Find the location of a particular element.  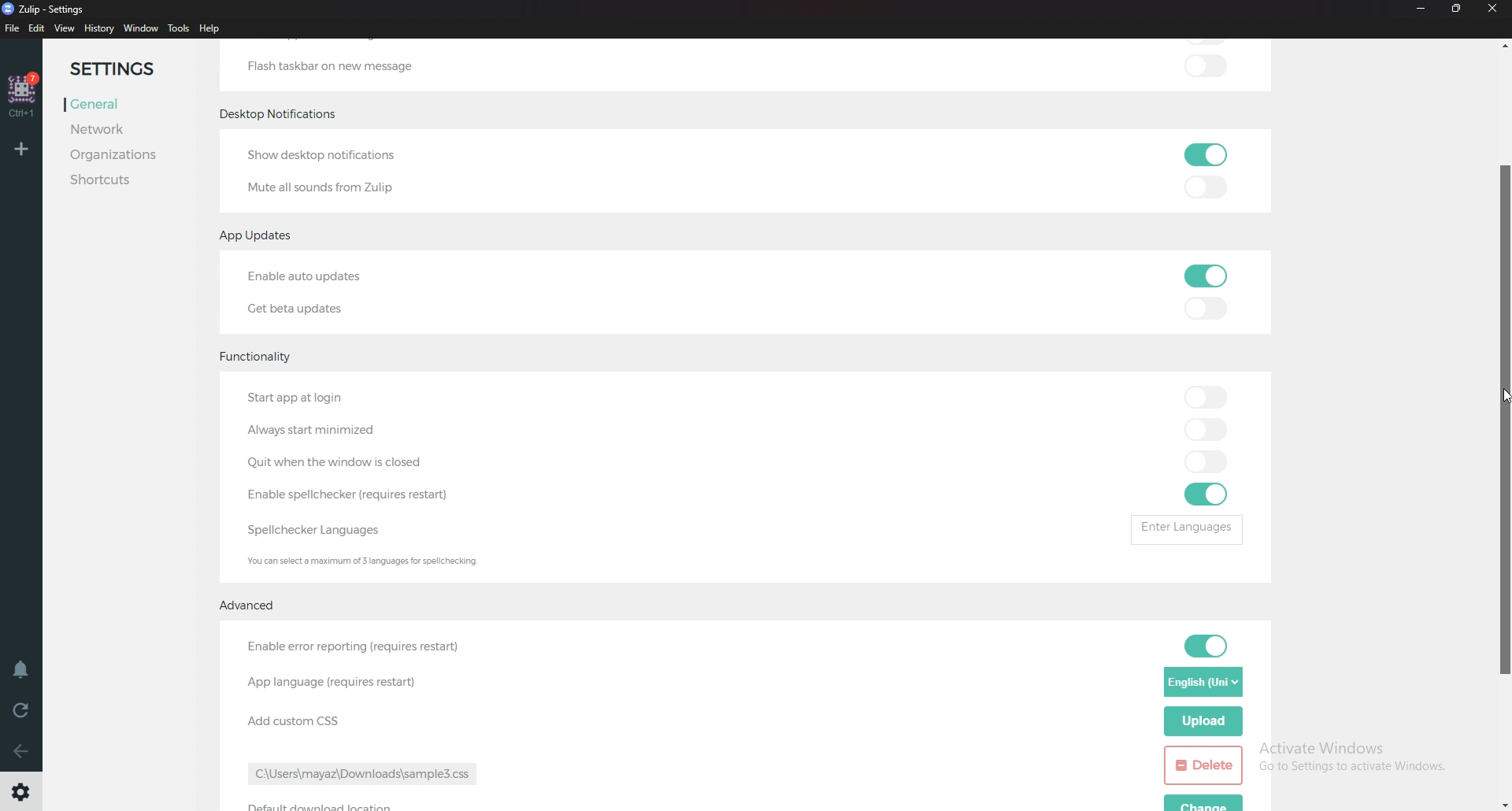

Always start minimized is located at coordinates (324, 429).